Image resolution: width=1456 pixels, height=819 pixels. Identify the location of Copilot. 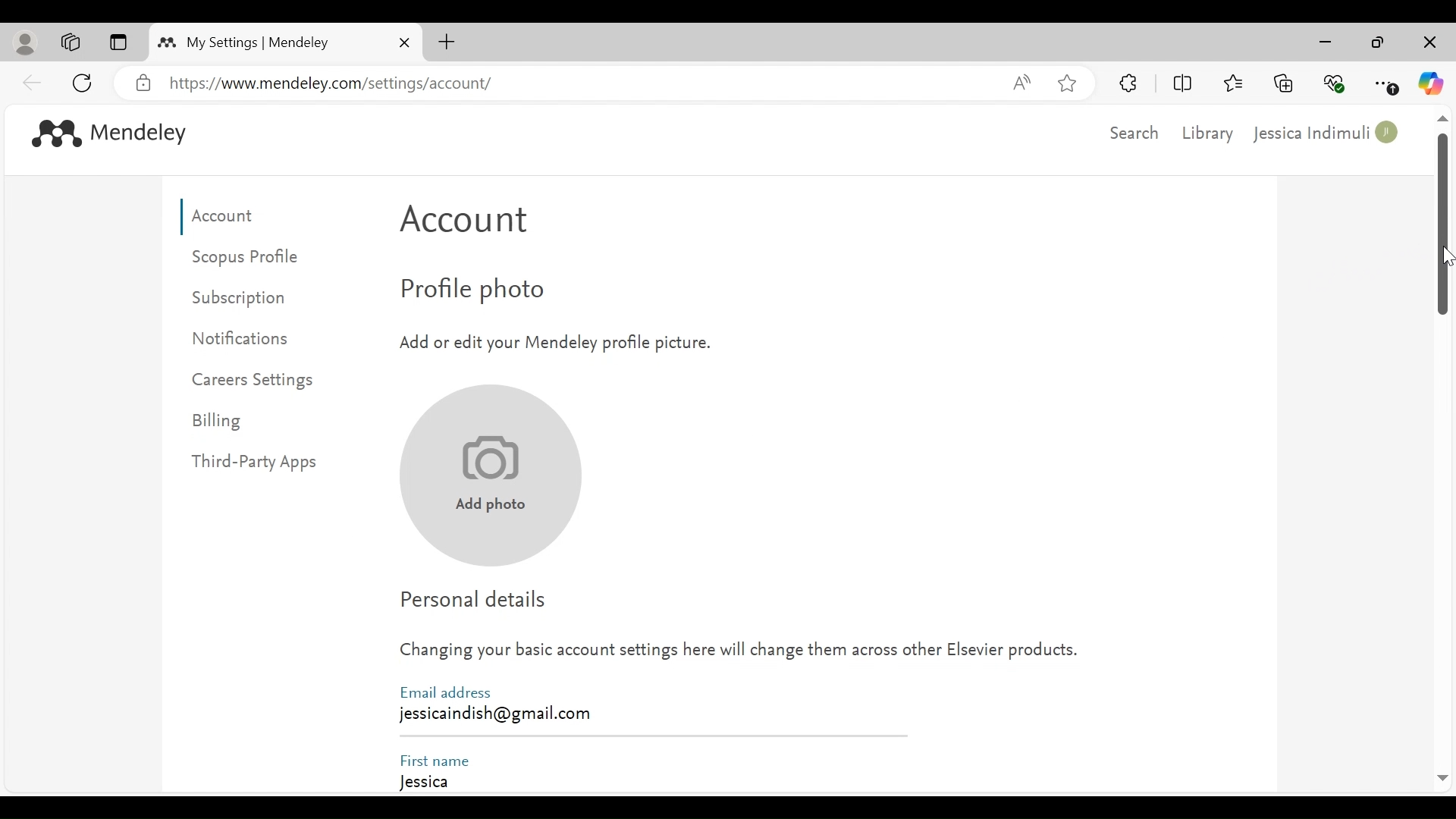
(1431, 83).